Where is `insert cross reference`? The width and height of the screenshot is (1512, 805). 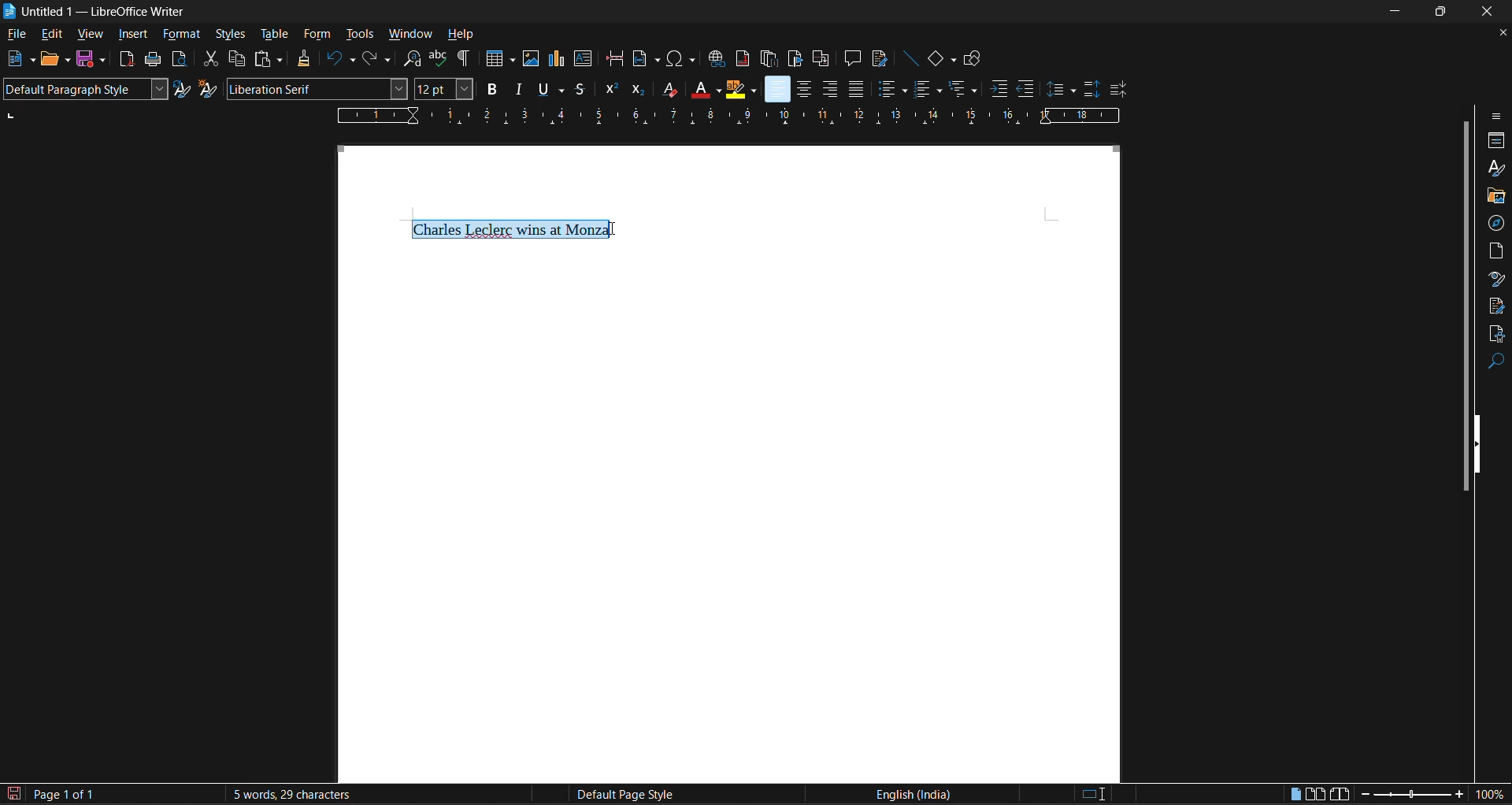 insert cross reference is located at coordinates (821, 59).